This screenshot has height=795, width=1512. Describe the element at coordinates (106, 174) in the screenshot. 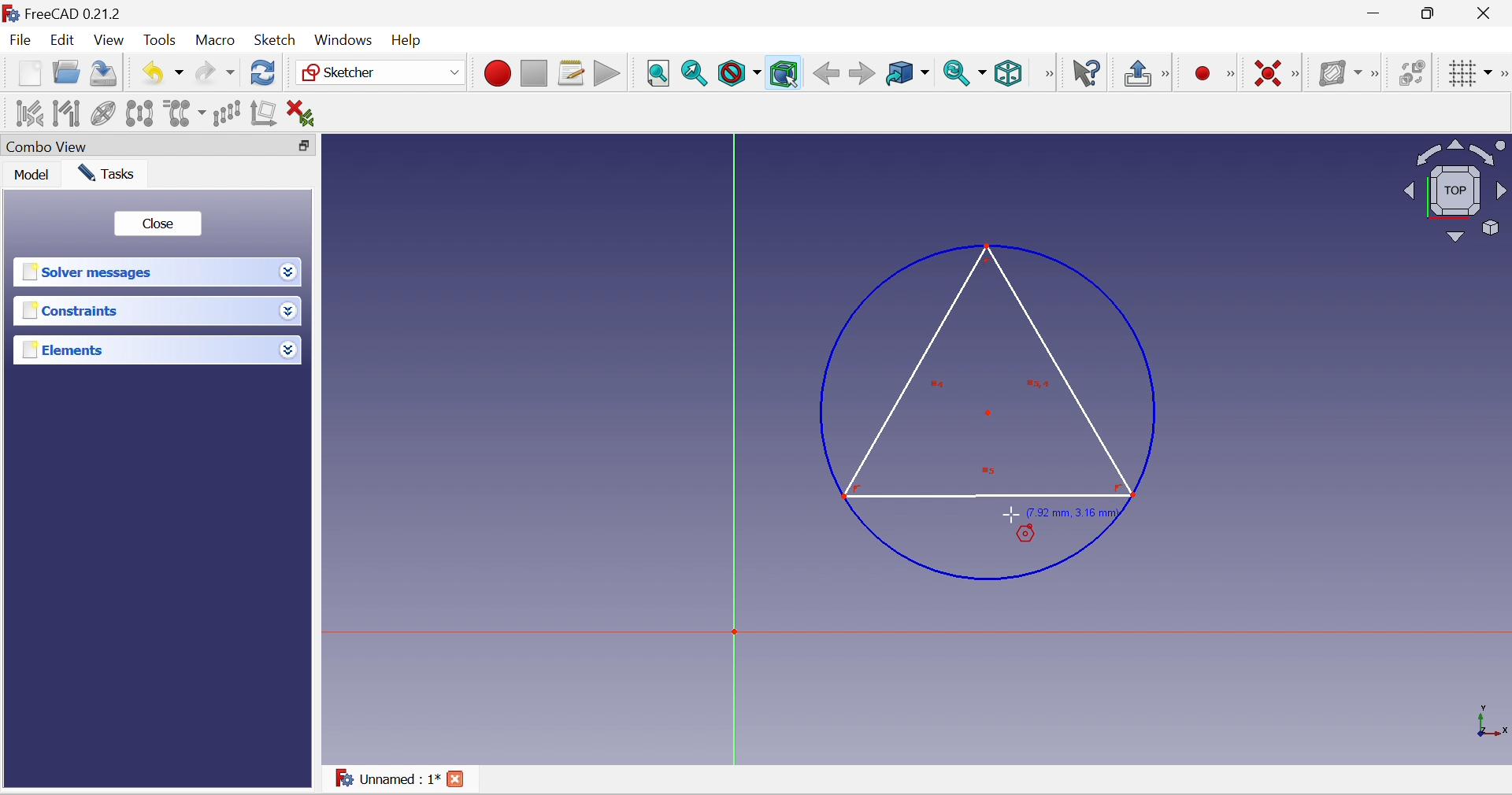

I see `Tasks` at that location.